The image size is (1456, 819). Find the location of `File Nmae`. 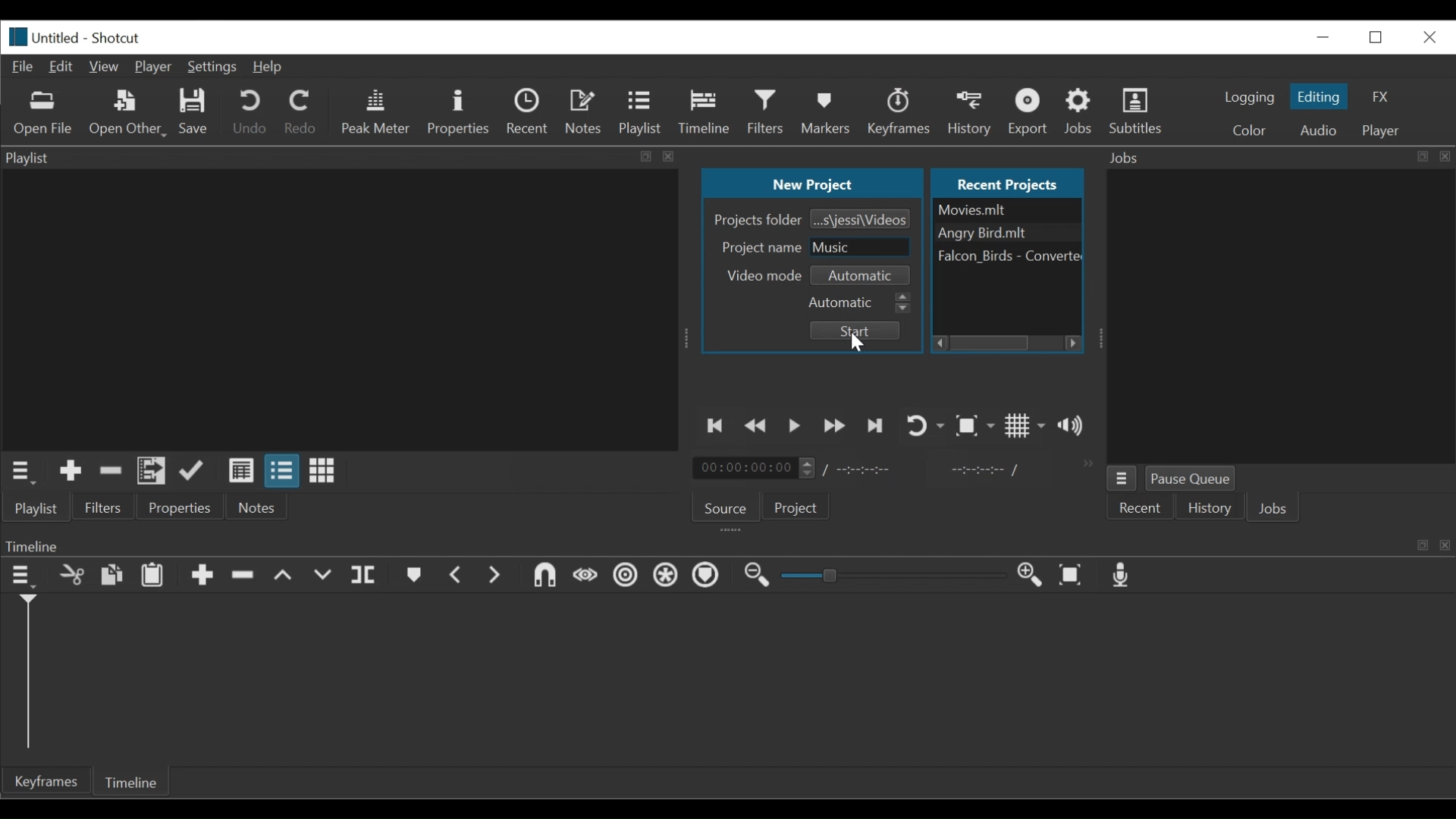

File Nmae is located at coordinates (1006, 212).